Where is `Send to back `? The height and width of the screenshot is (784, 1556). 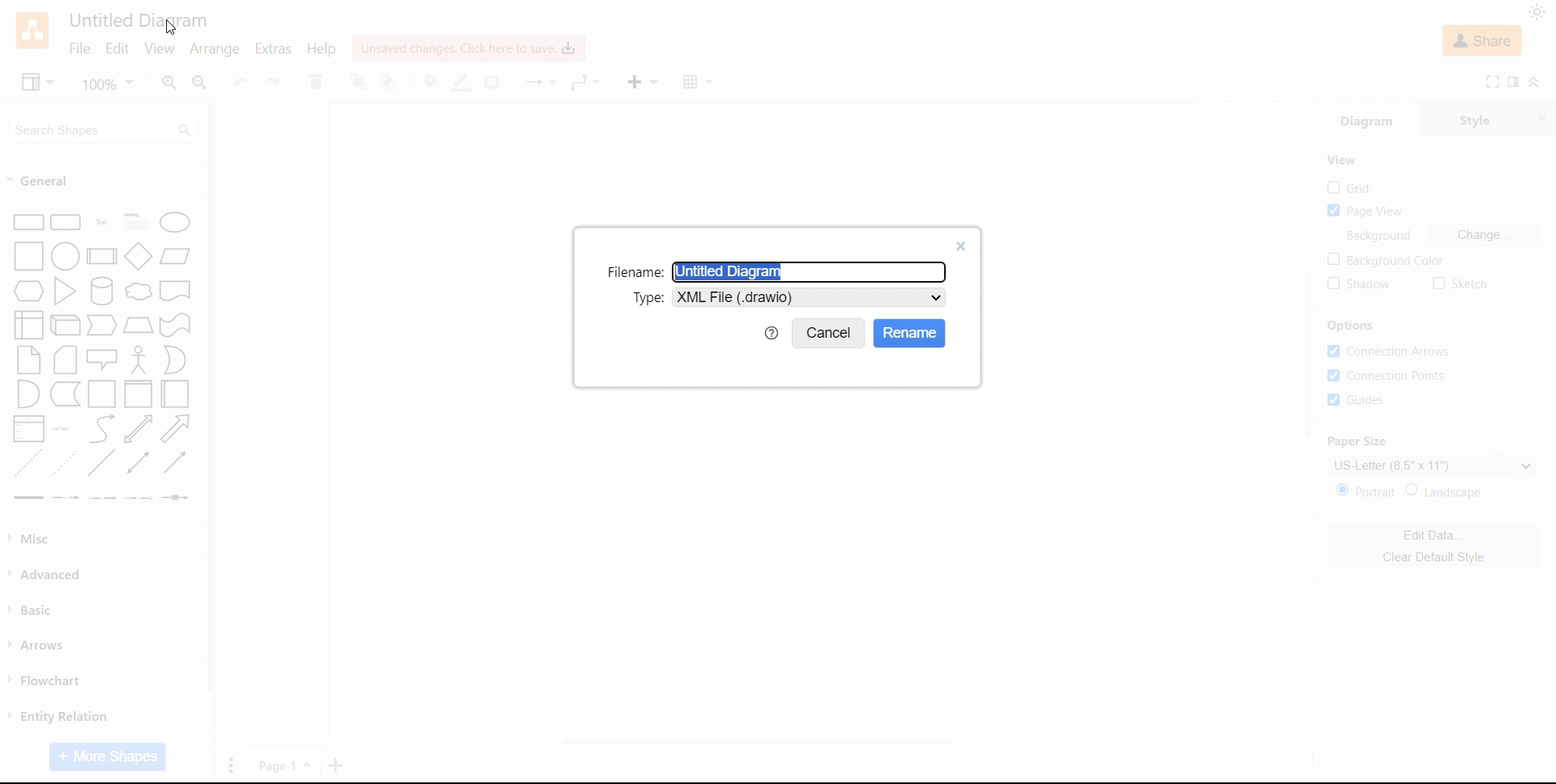 Send to back  is located at coordinates (391, 83).